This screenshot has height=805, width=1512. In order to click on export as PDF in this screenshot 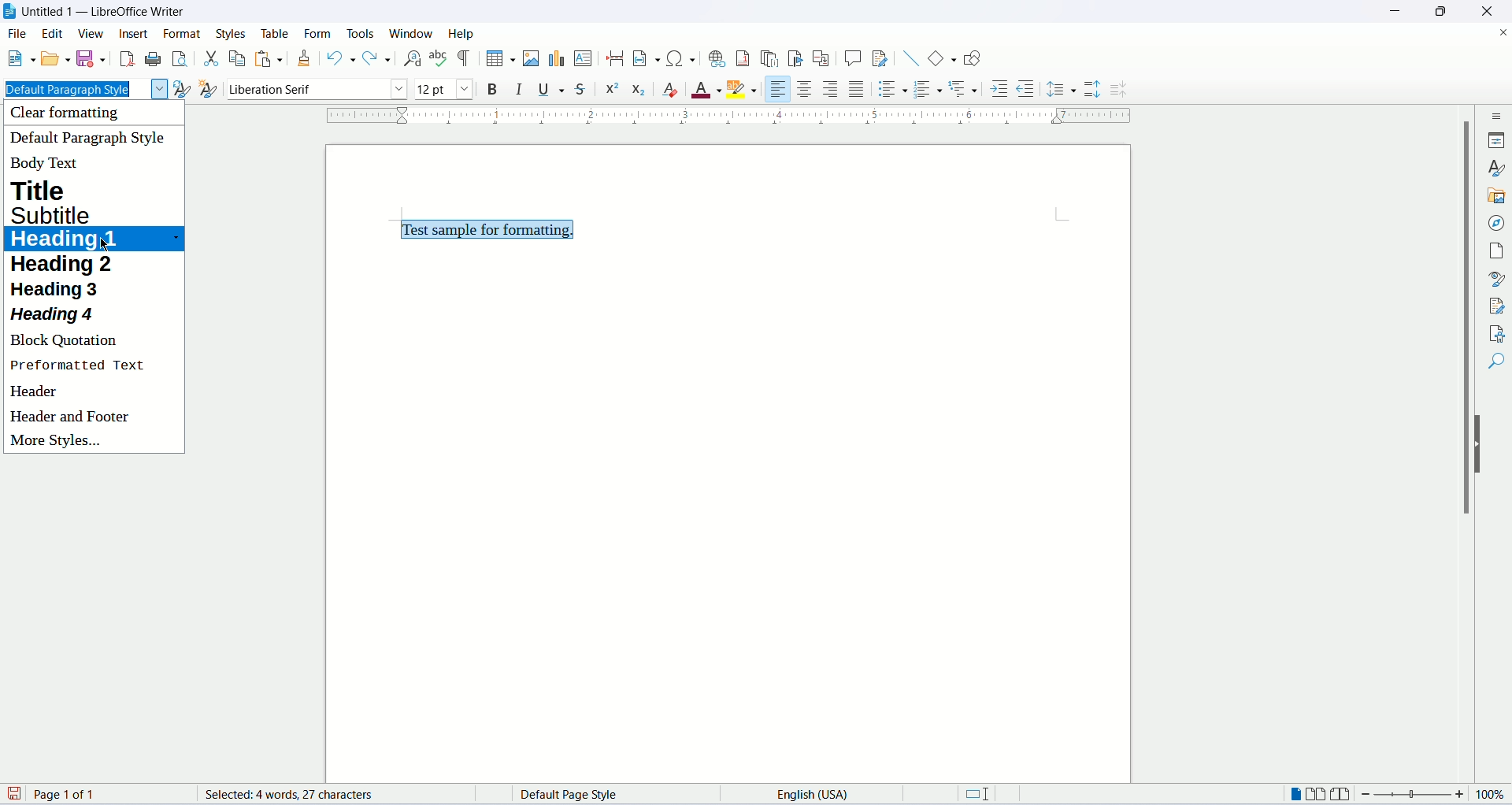, I will do `click(125, 59)`.